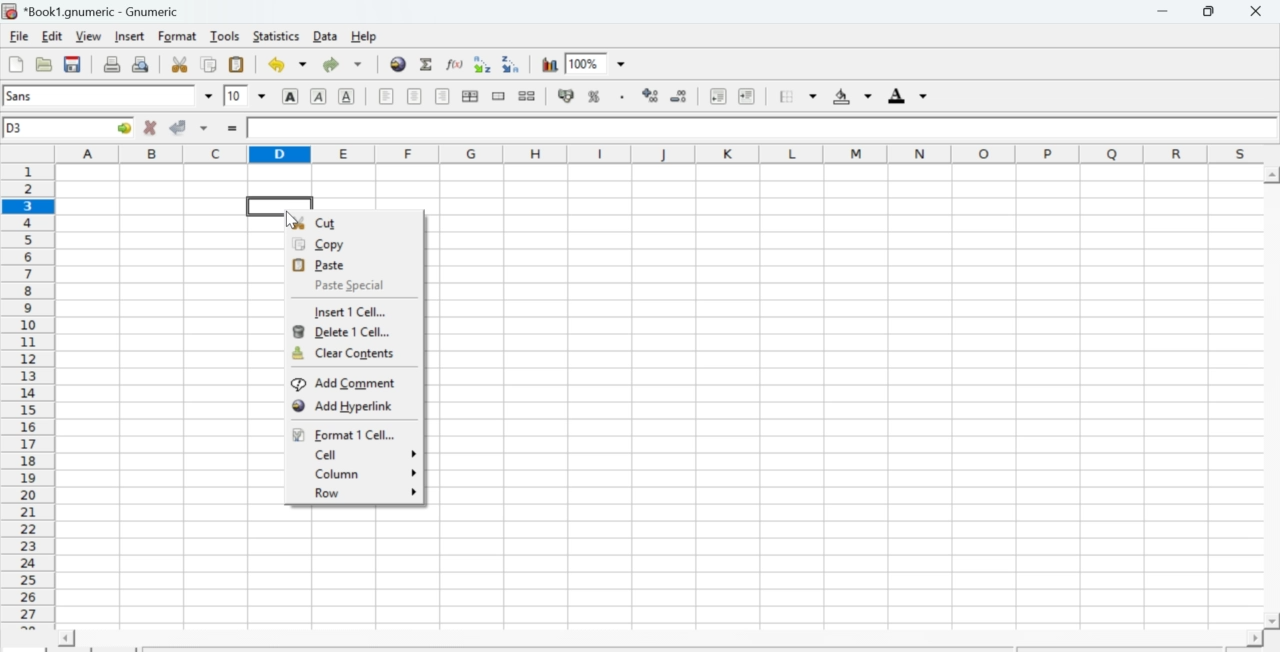 Image resolution: width=1280 pixels, height=652 pixels. Describe the element at coordinates (1162, 12) in the screenshot. I see `Minimize` at that location.